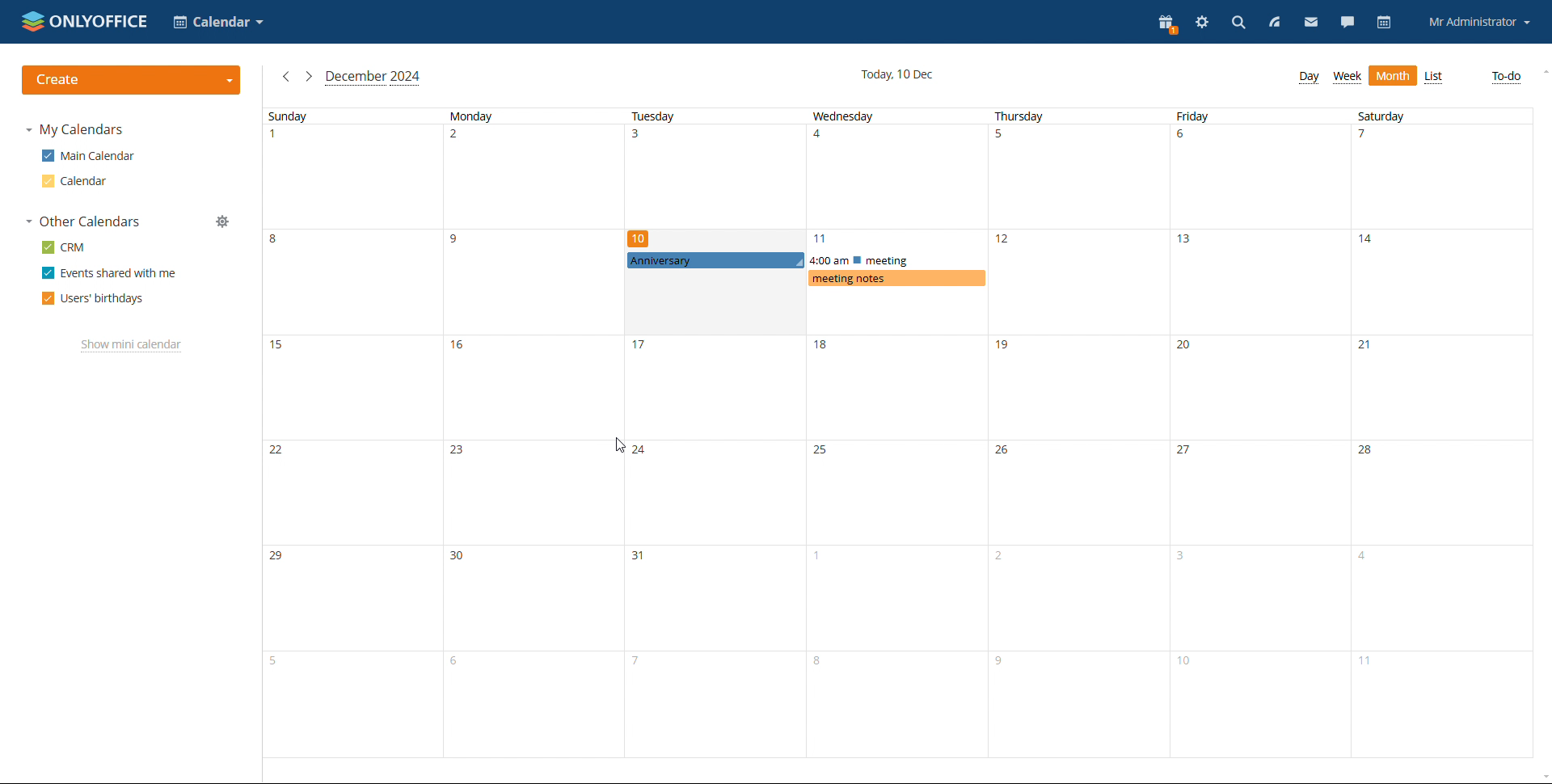 The height and width of the screenshot is (784, 1552). I want to click on profile, so click(1480, 23).